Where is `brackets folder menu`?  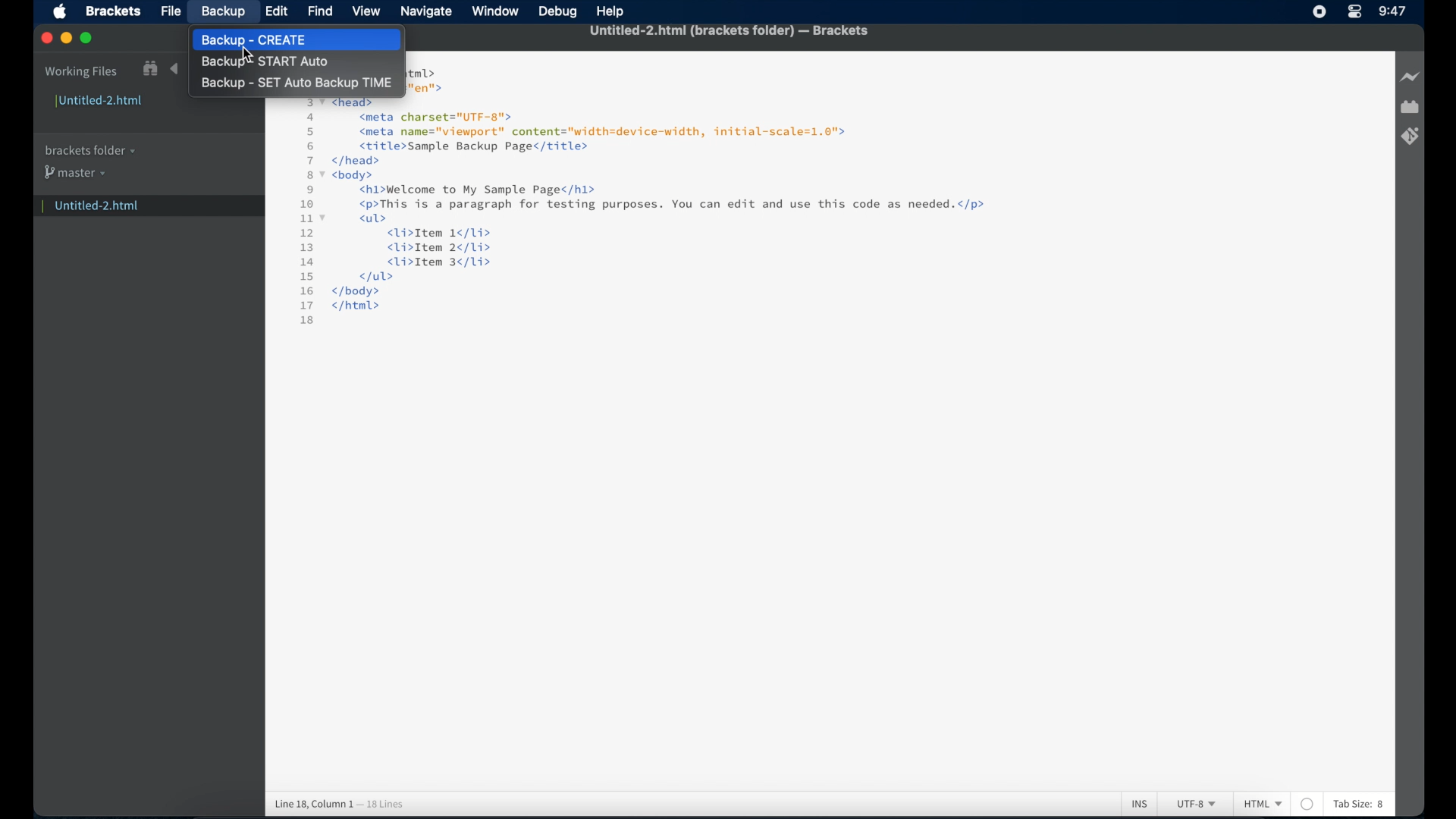
brackets folder menu is located at coordinates (89, 151).